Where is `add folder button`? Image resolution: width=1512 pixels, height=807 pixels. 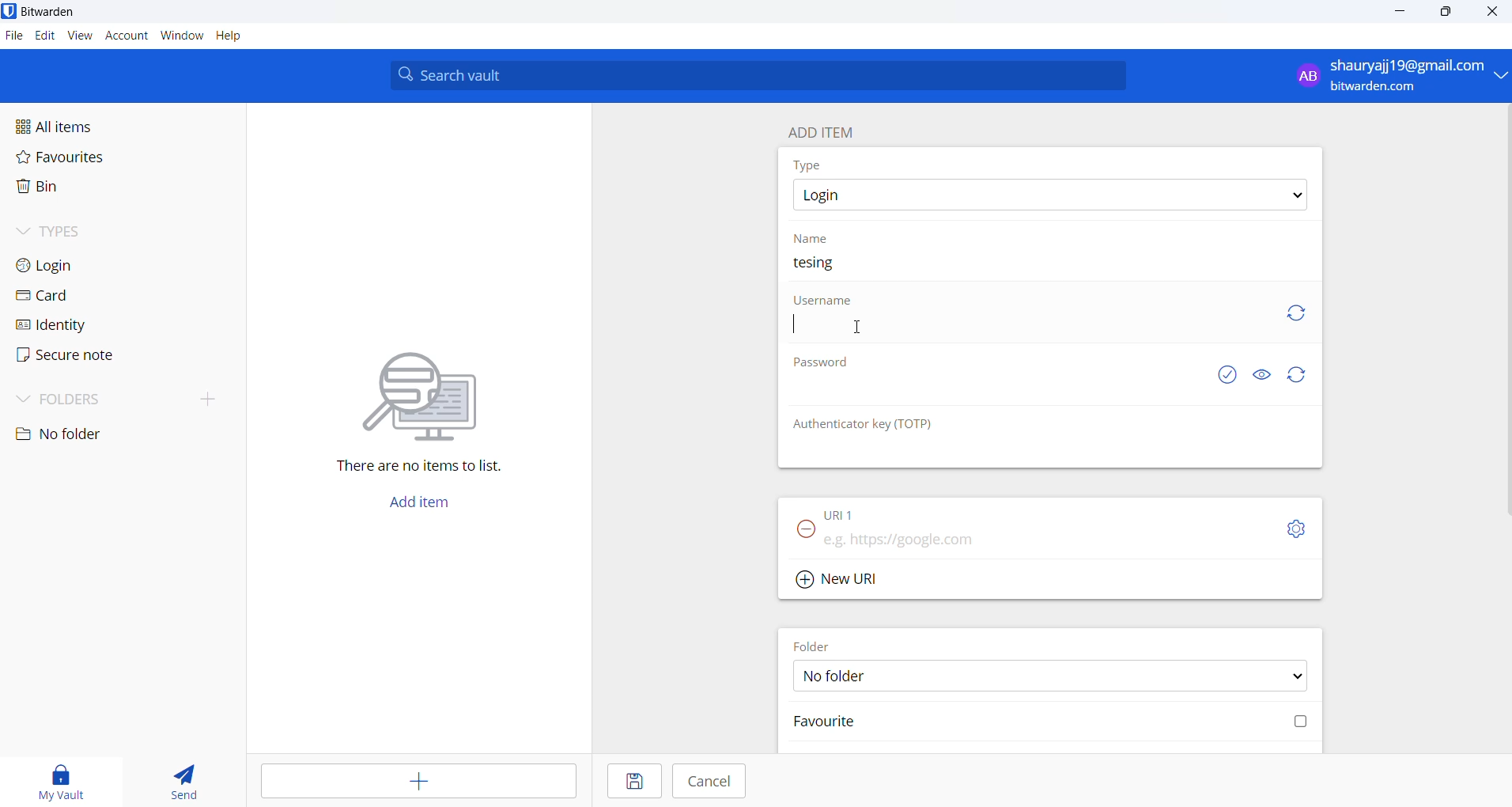 add folder button is located at coordinates (210, 398).